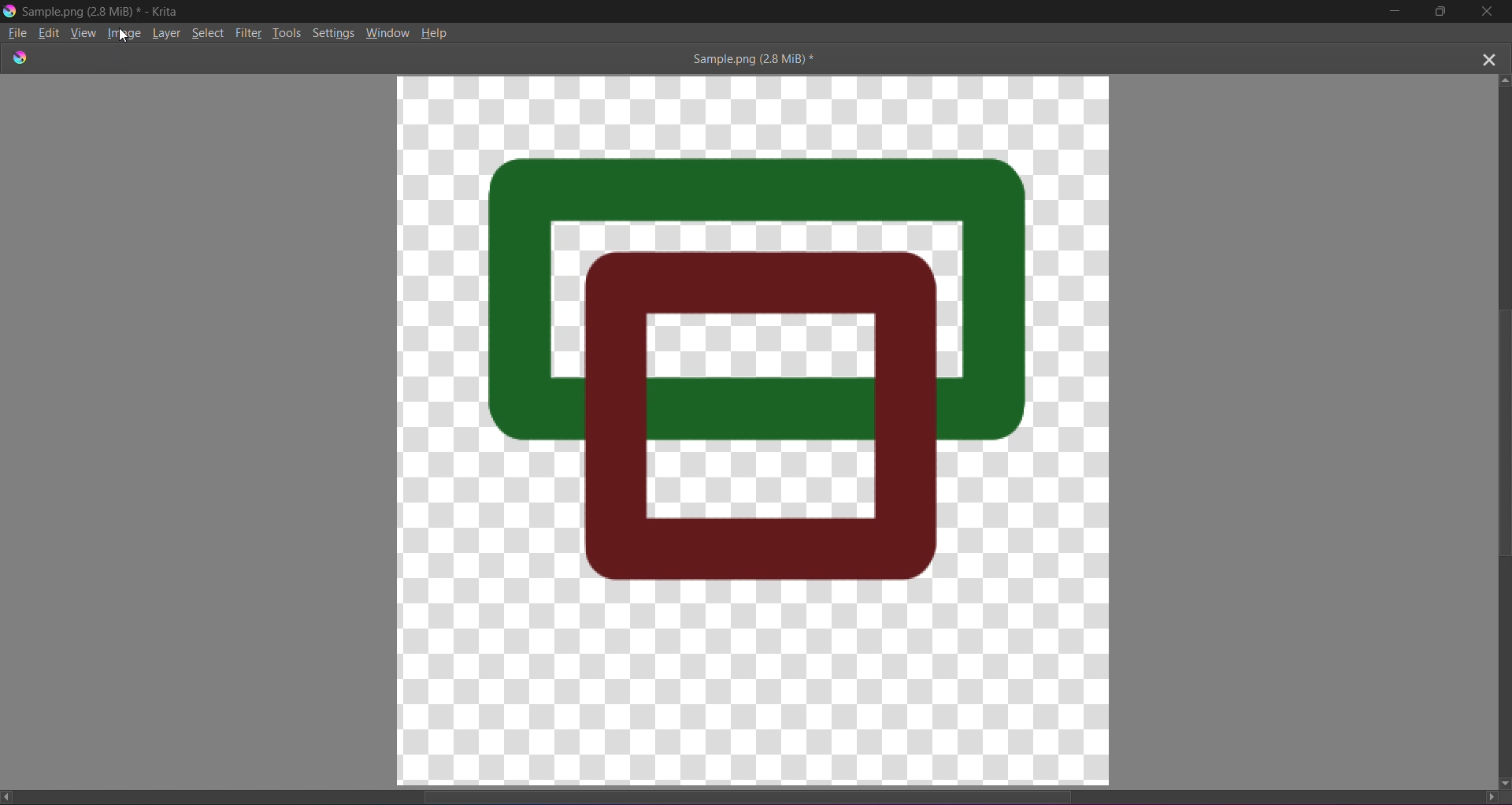 The width and height of the screenshot is (1512, 805). Describe the element at coordinates (1506, 78) in the screenshot. I see `Scroll up` at that location.